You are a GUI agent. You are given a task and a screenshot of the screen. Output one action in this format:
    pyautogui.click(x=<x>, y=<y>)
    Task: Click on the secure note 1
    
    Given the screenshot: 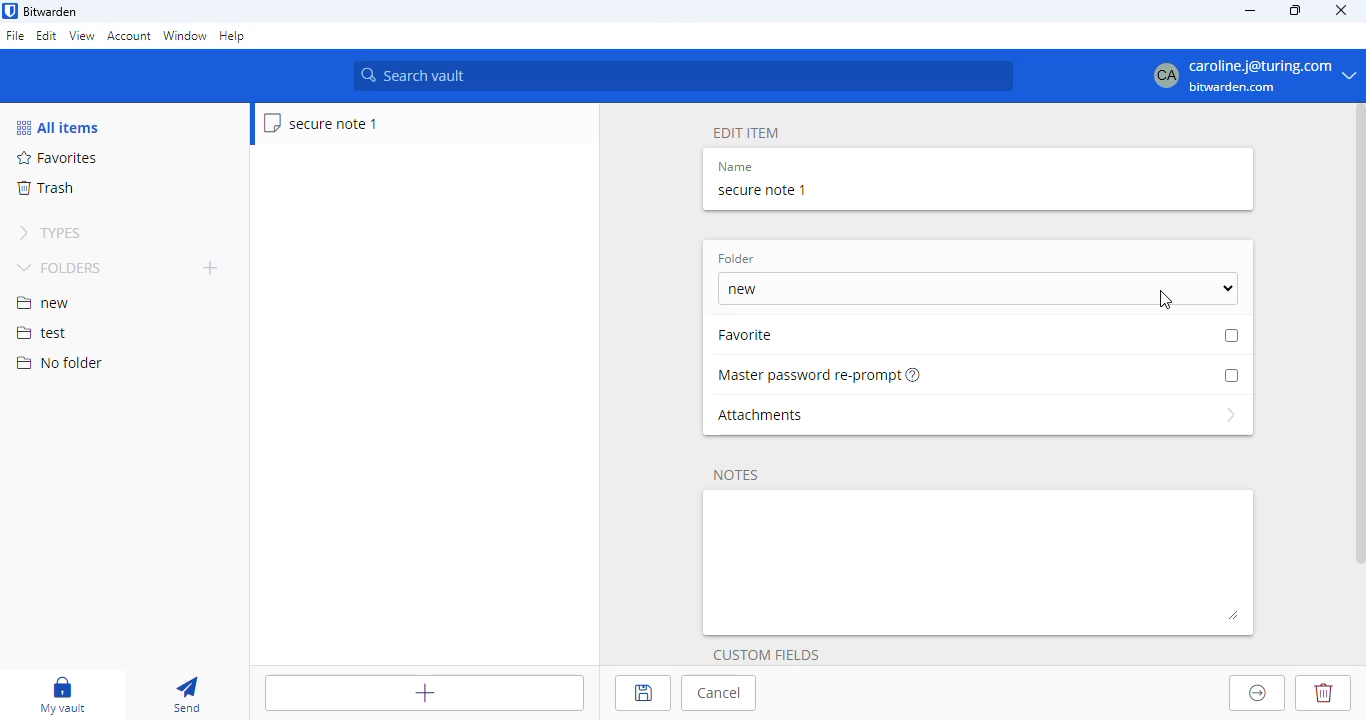 What is the action you would take?
    pyautogui.click(x=322, y=123)
    